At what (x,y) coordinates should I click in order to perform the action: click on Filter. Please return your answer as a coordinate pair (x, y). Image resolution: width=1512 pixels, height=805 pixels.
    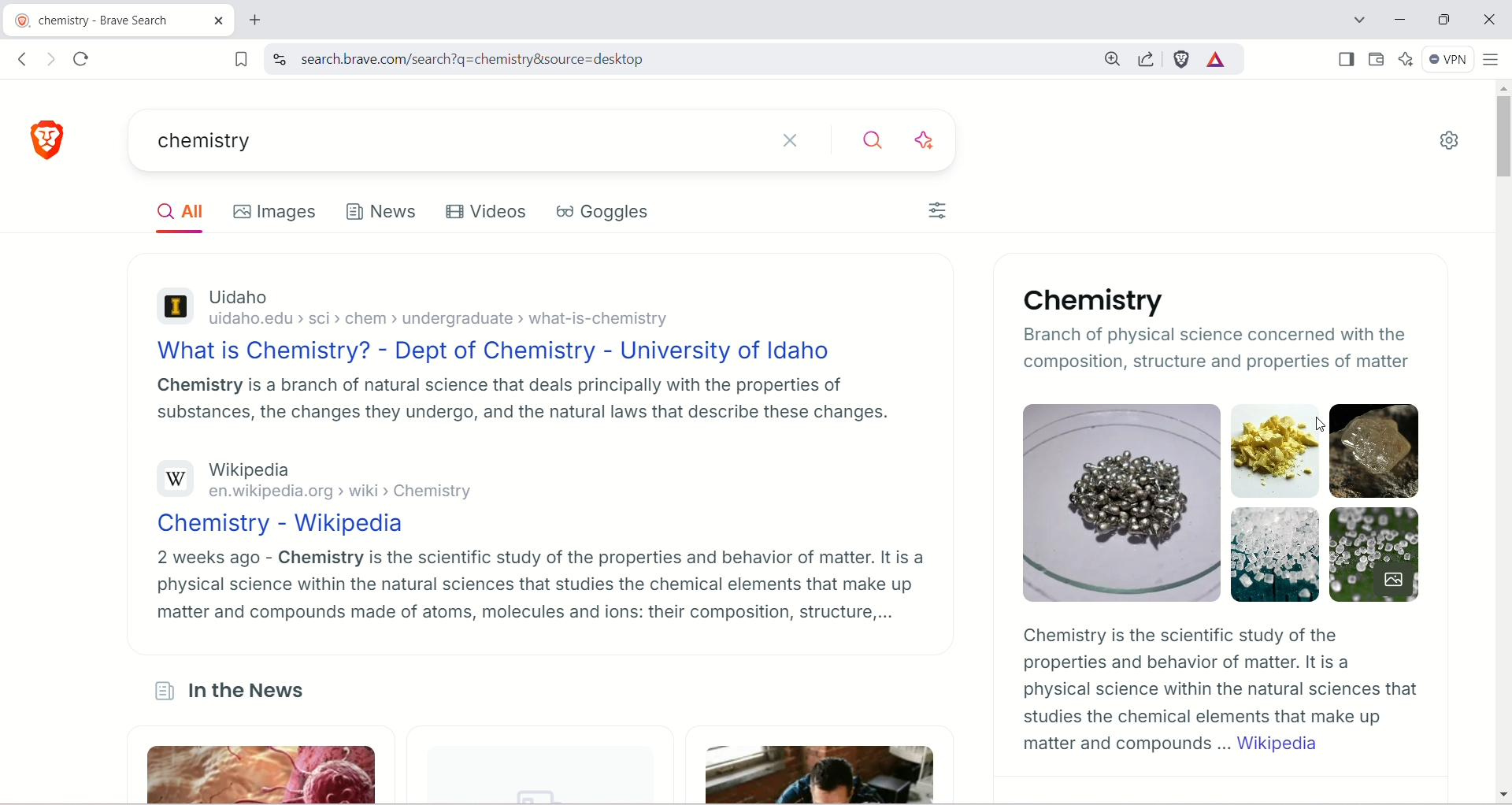
    Looking at the image, I should click on (939, 212).